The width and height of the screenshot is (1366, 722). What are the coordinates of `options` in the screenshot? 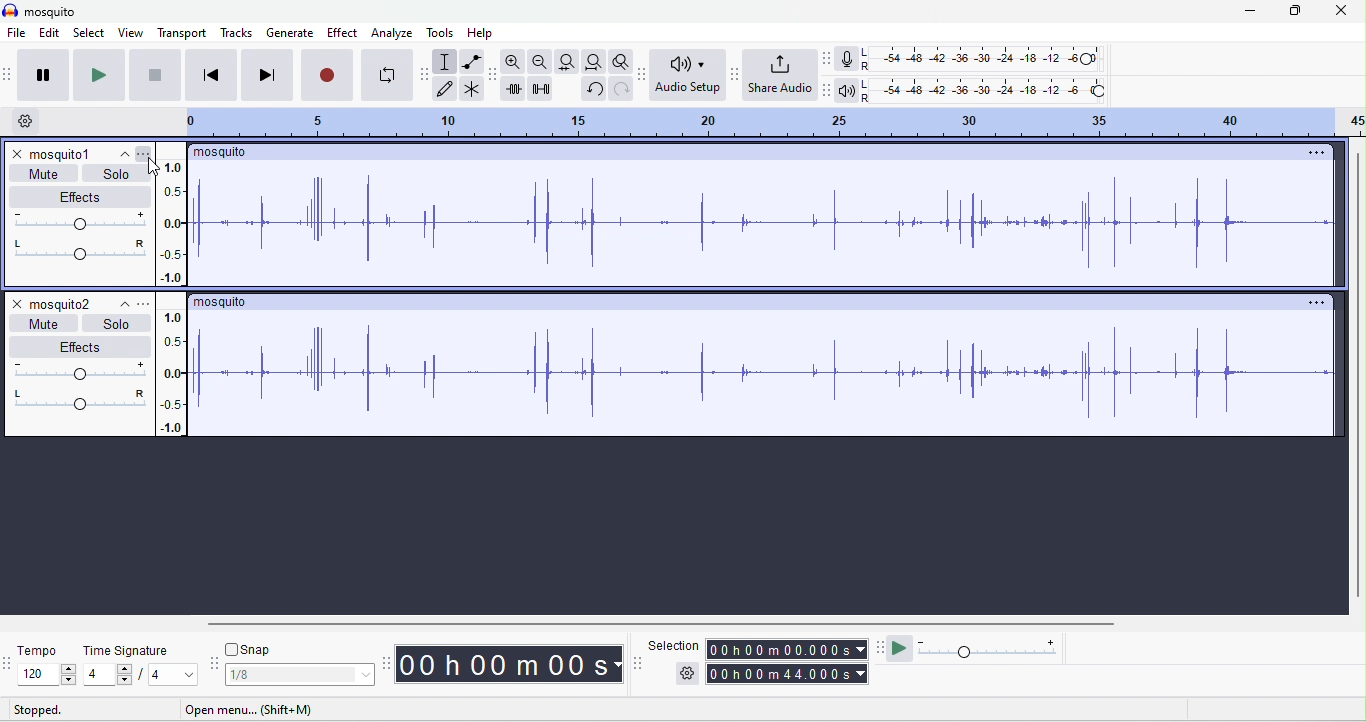 It's located at (688, 671).